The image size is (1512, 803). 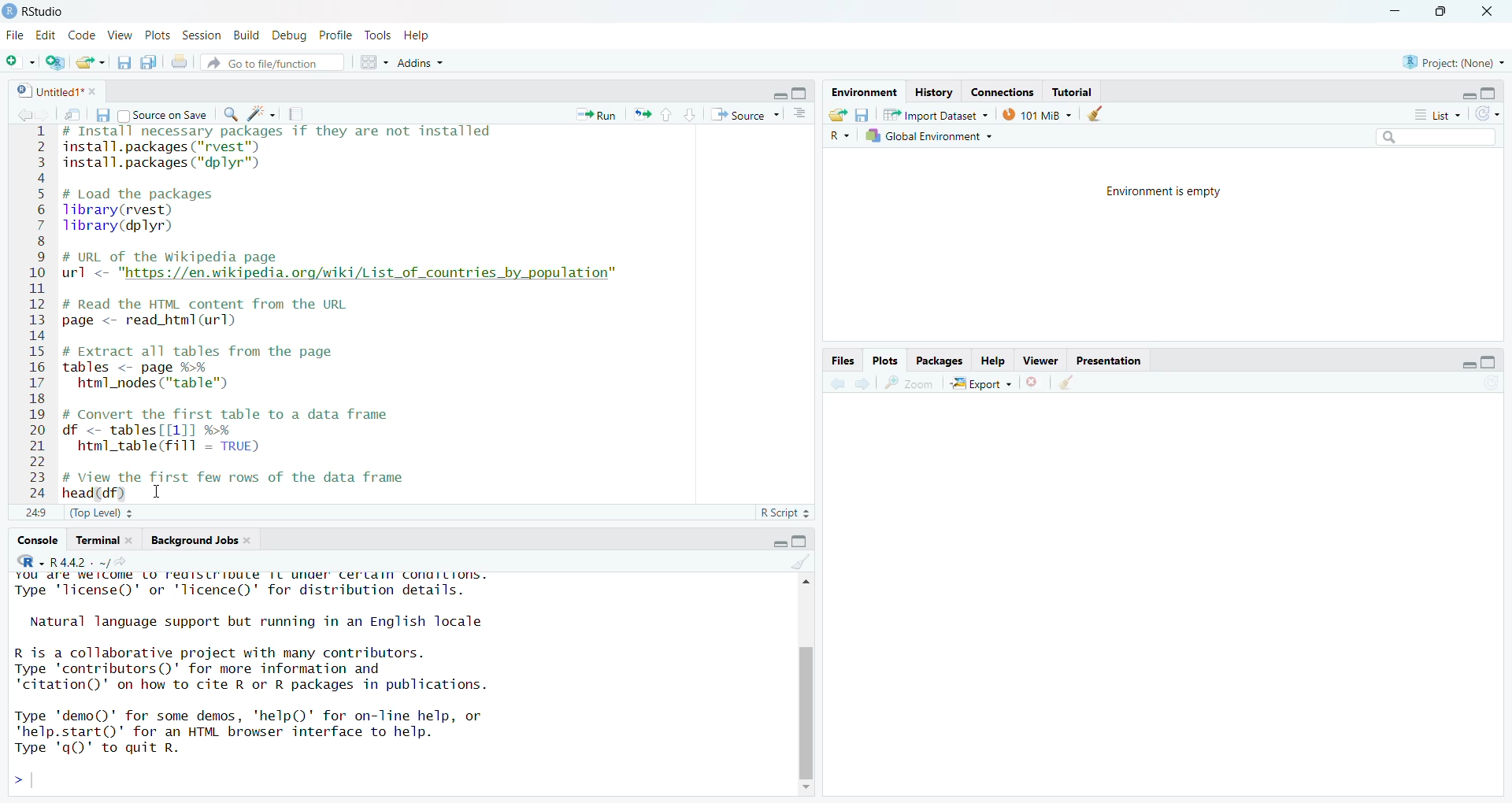 I want to click on # Load the packages library(rvest) library(dplyr), so click(x=150, y=211).